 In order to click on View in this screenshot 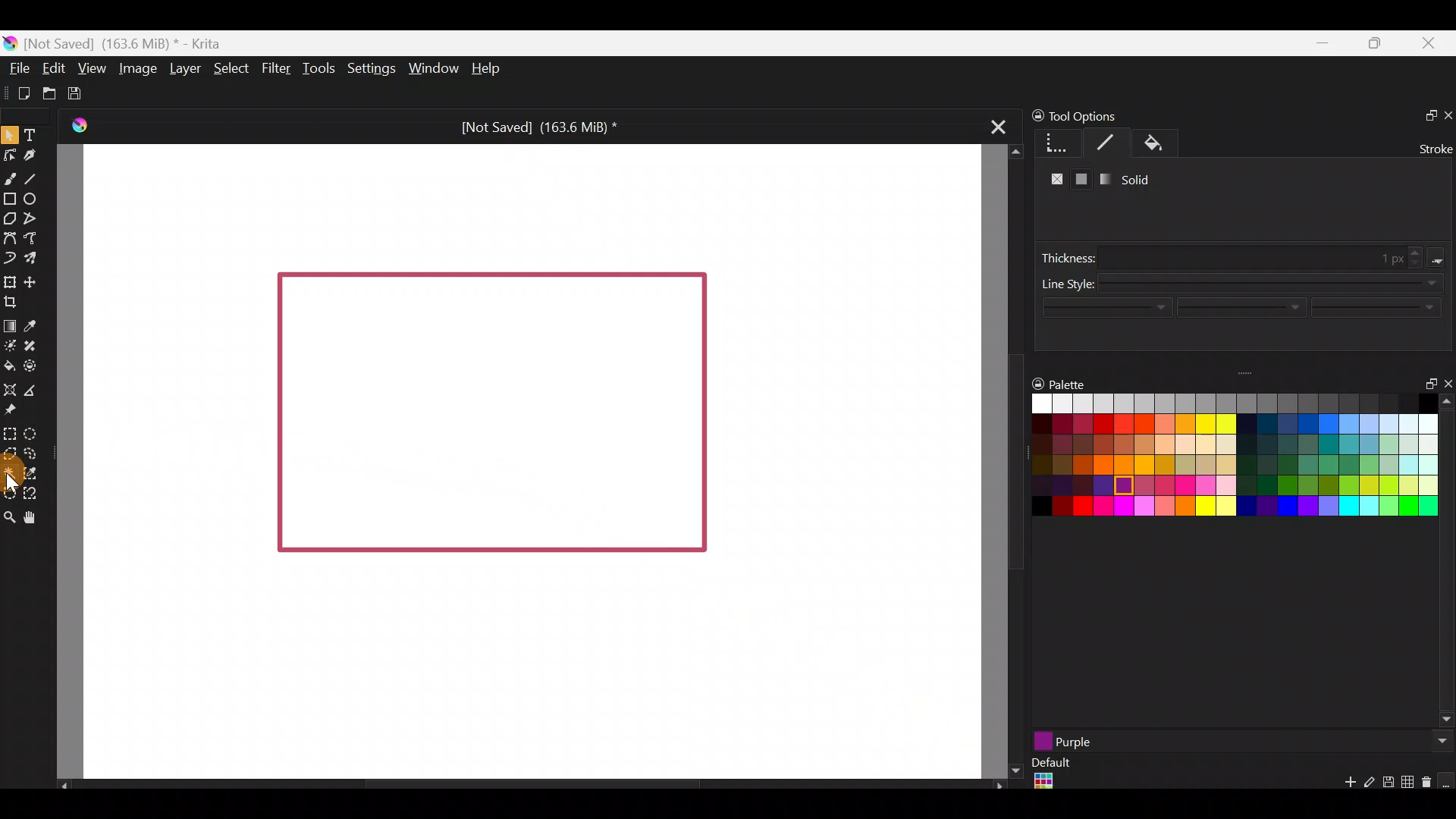, I will do `click(91, 66)`.